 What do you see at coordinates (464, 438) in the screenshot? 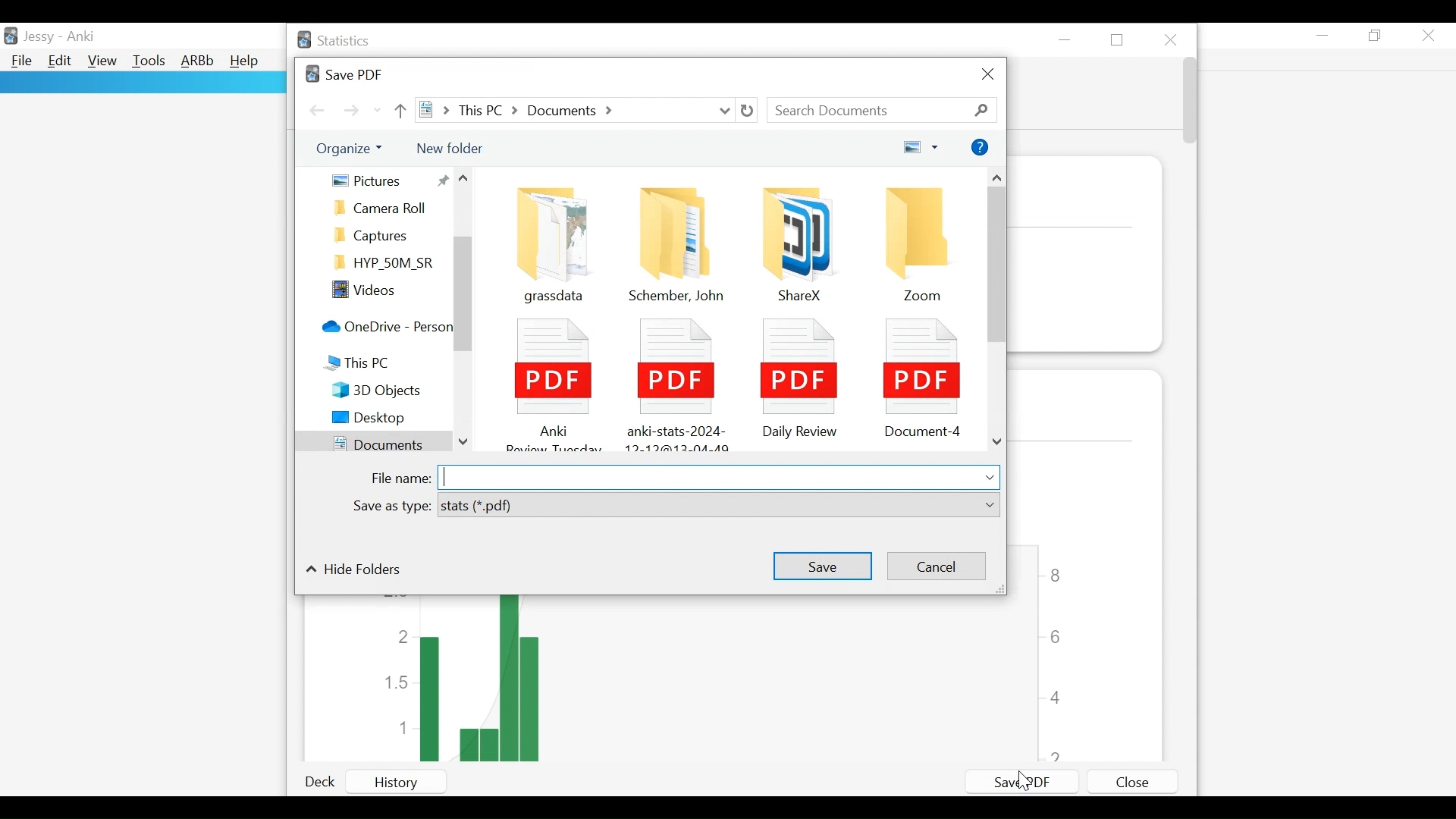
I see `scroll down` at bounding box center [464, 438].